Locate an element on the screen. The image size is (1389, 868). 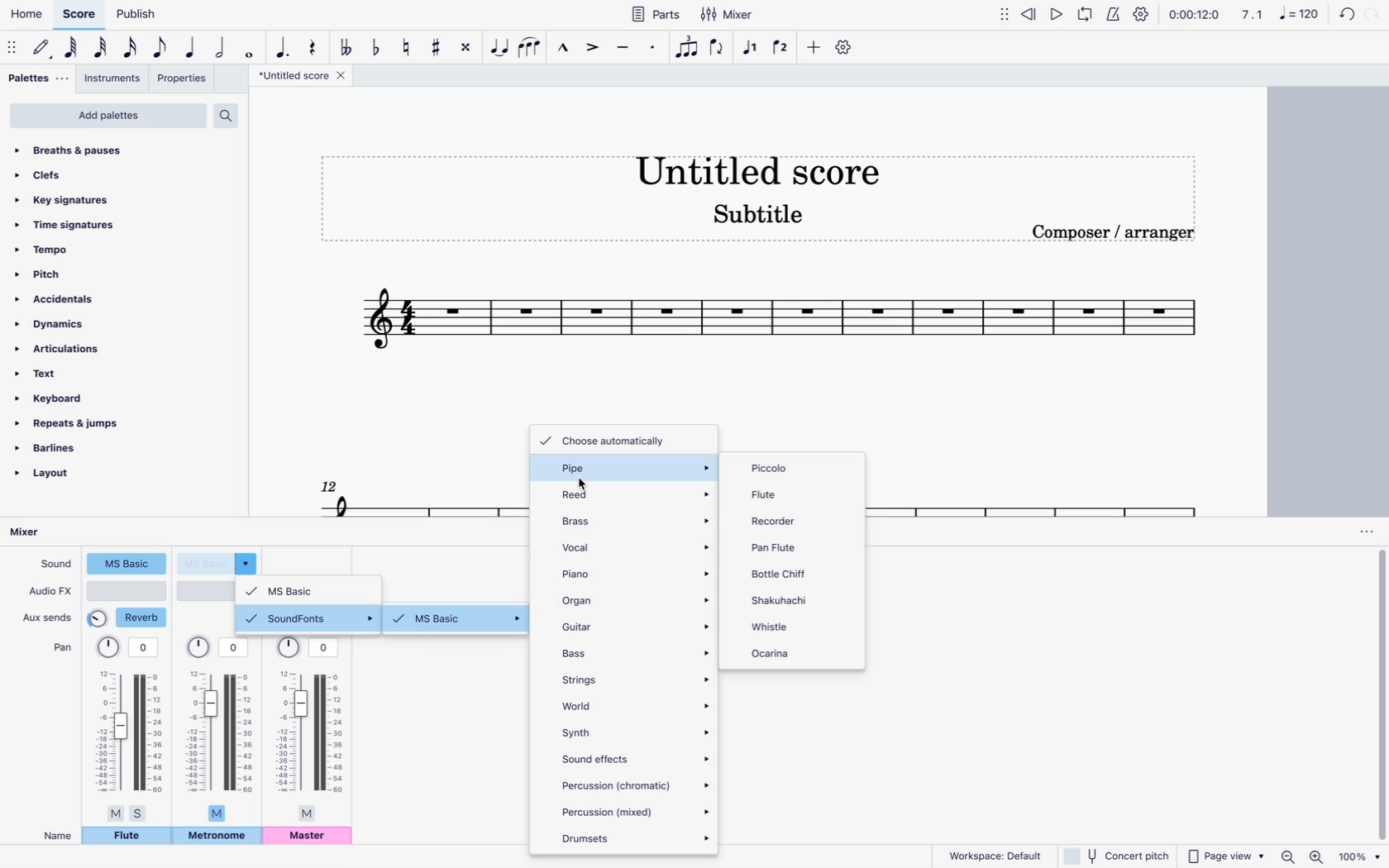
score is located at coordinates (1037, 489).